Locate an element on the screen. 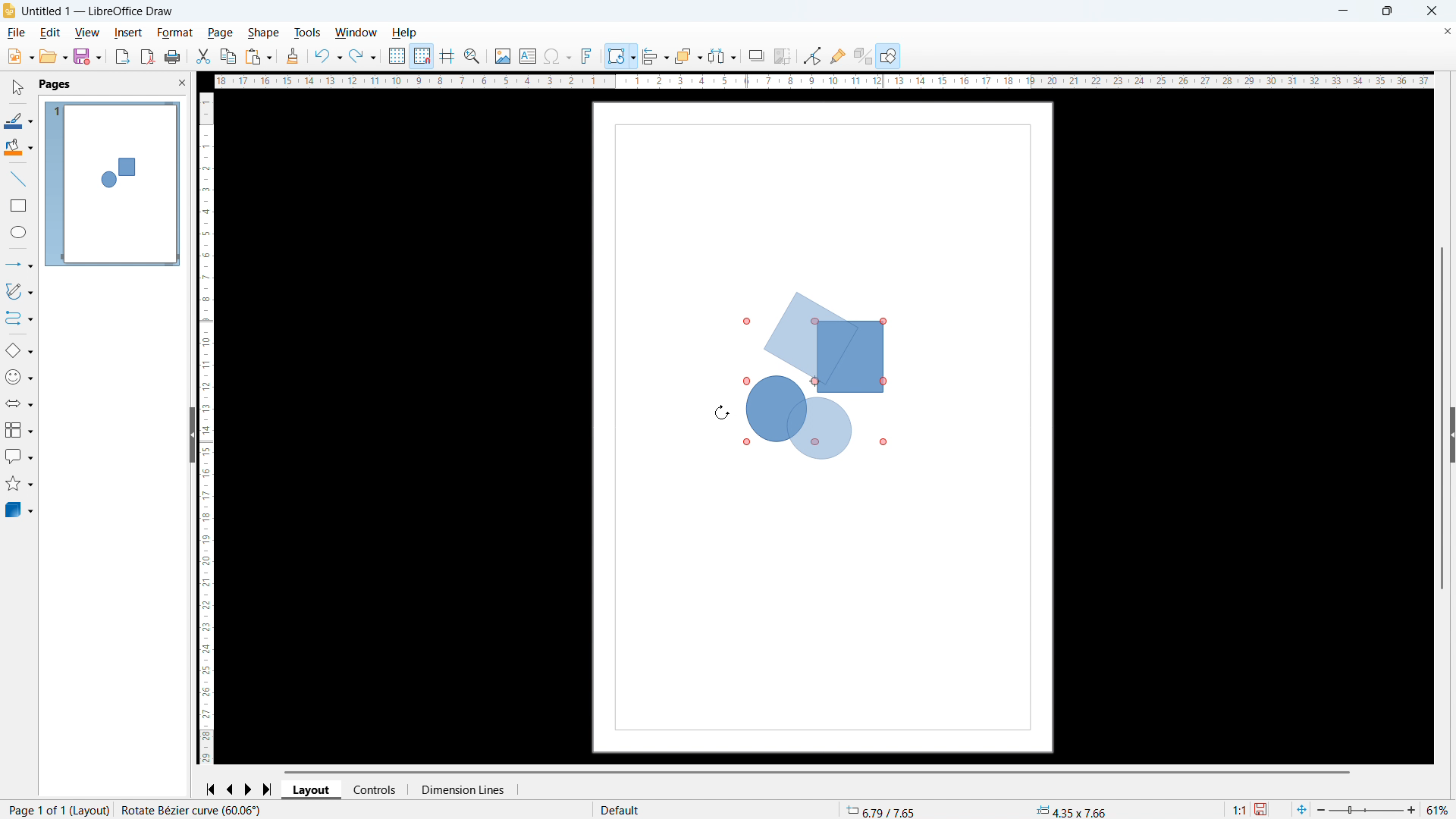 The image size is (1456, 819). Connectors  is located at coordinates (20, 318).